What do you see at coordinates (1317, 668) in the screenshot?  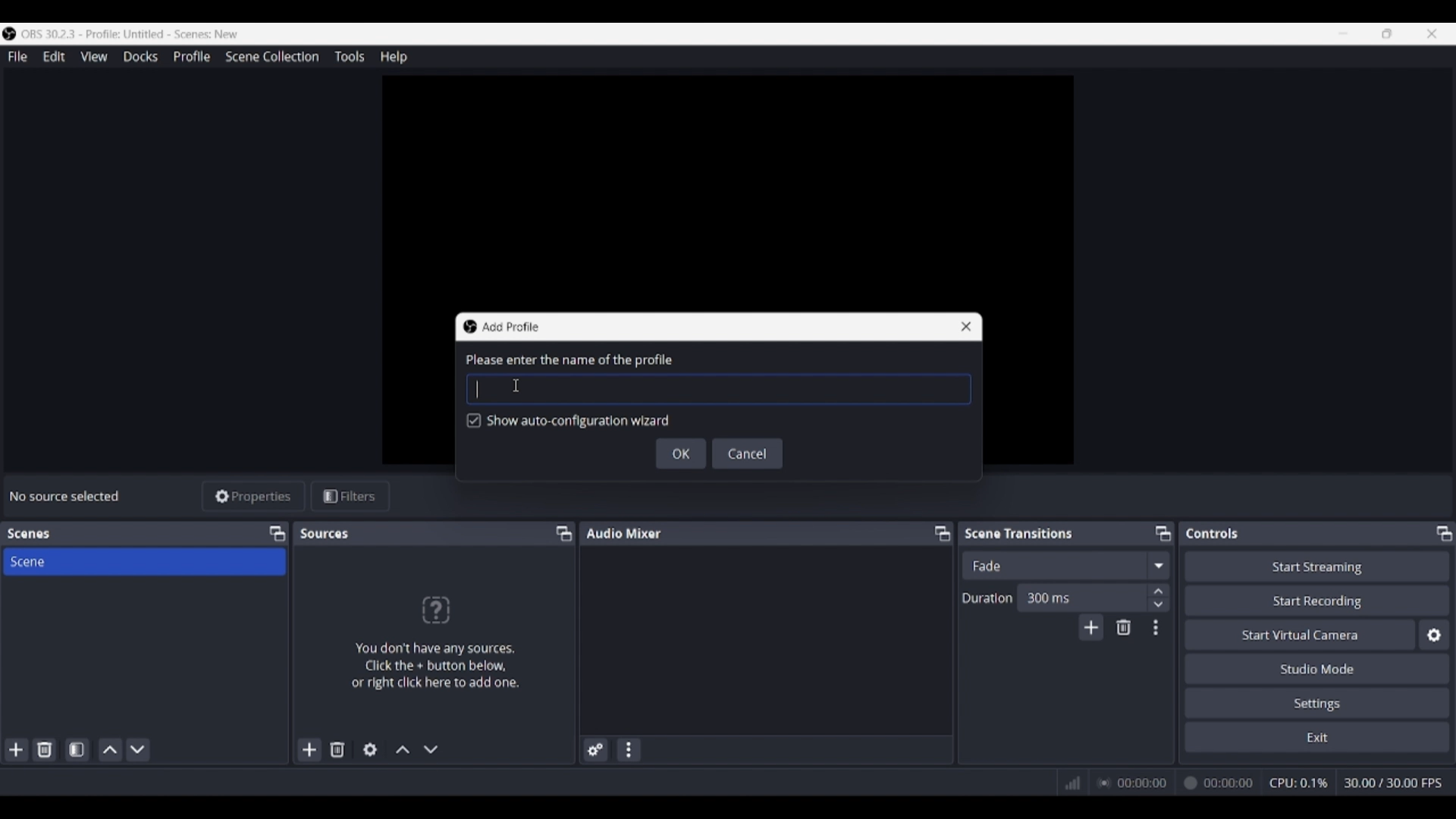 I see `Studio mode` at bounding box center [1317, 668].